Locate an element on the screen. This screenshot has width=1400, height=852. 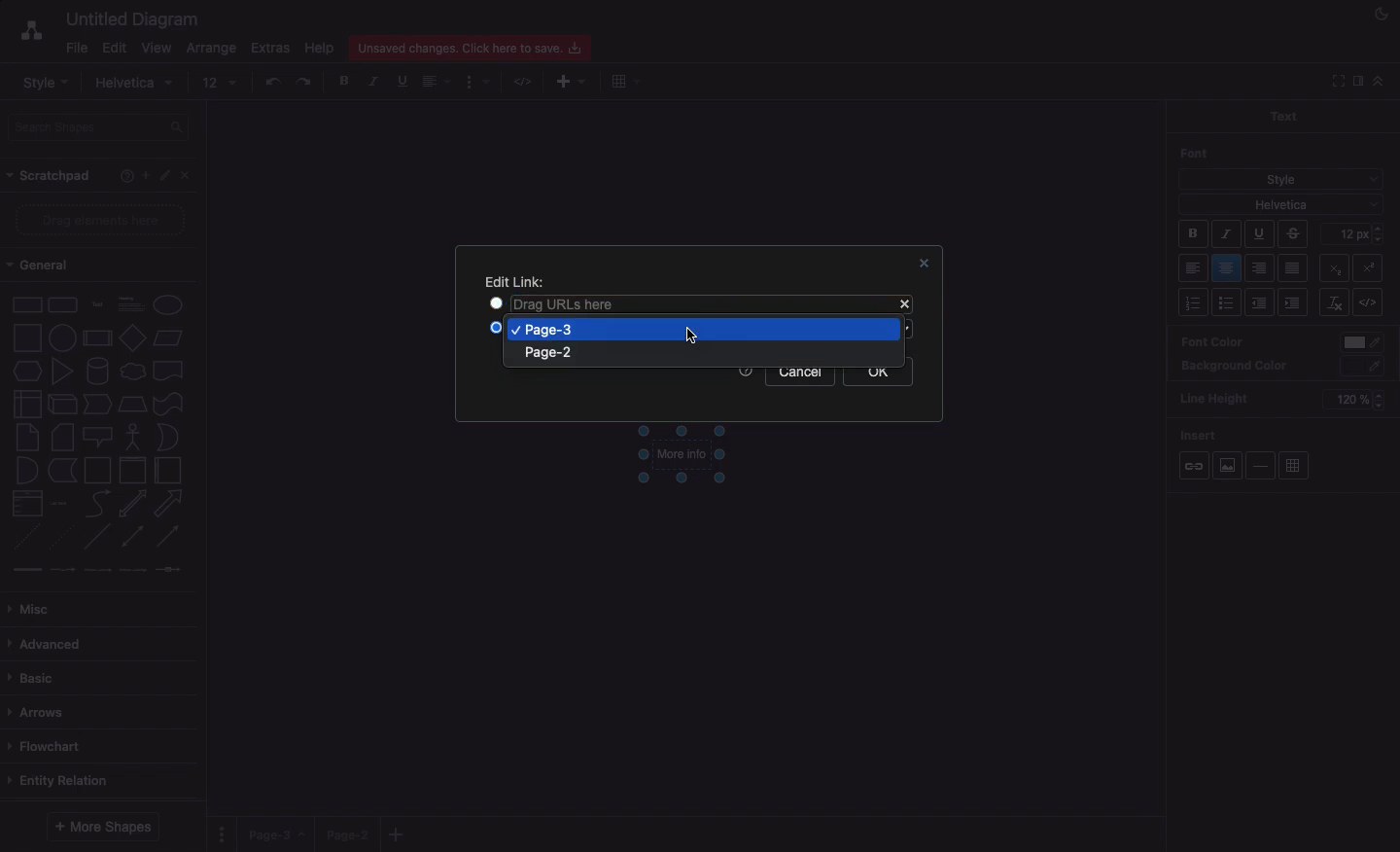
Edit is located at coordinates (166, 176).